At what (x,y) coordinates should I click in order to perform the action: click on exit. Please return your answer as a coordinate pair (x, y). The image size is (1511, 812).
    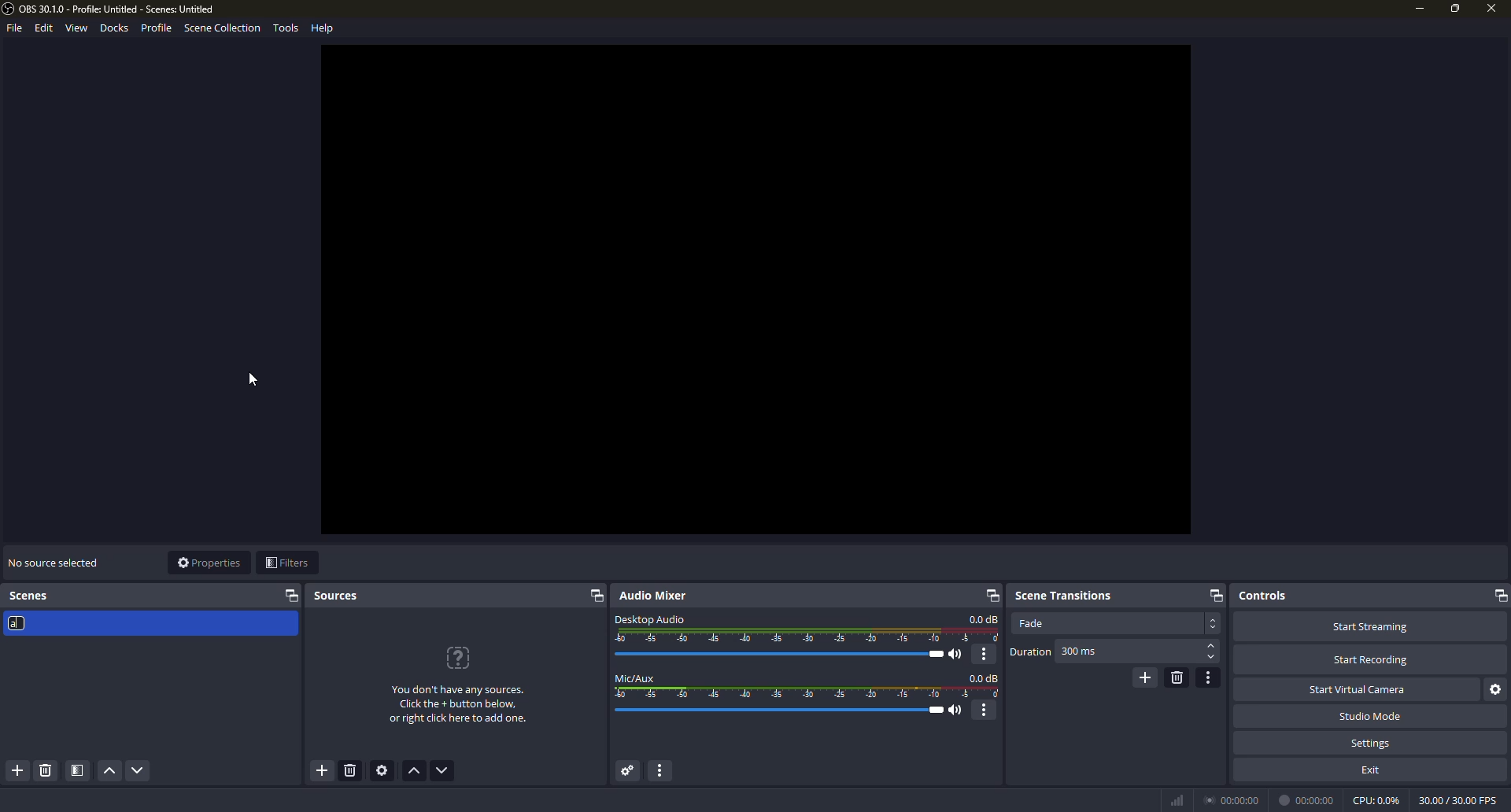
    Looking at the image, I should click on (1372, 769).